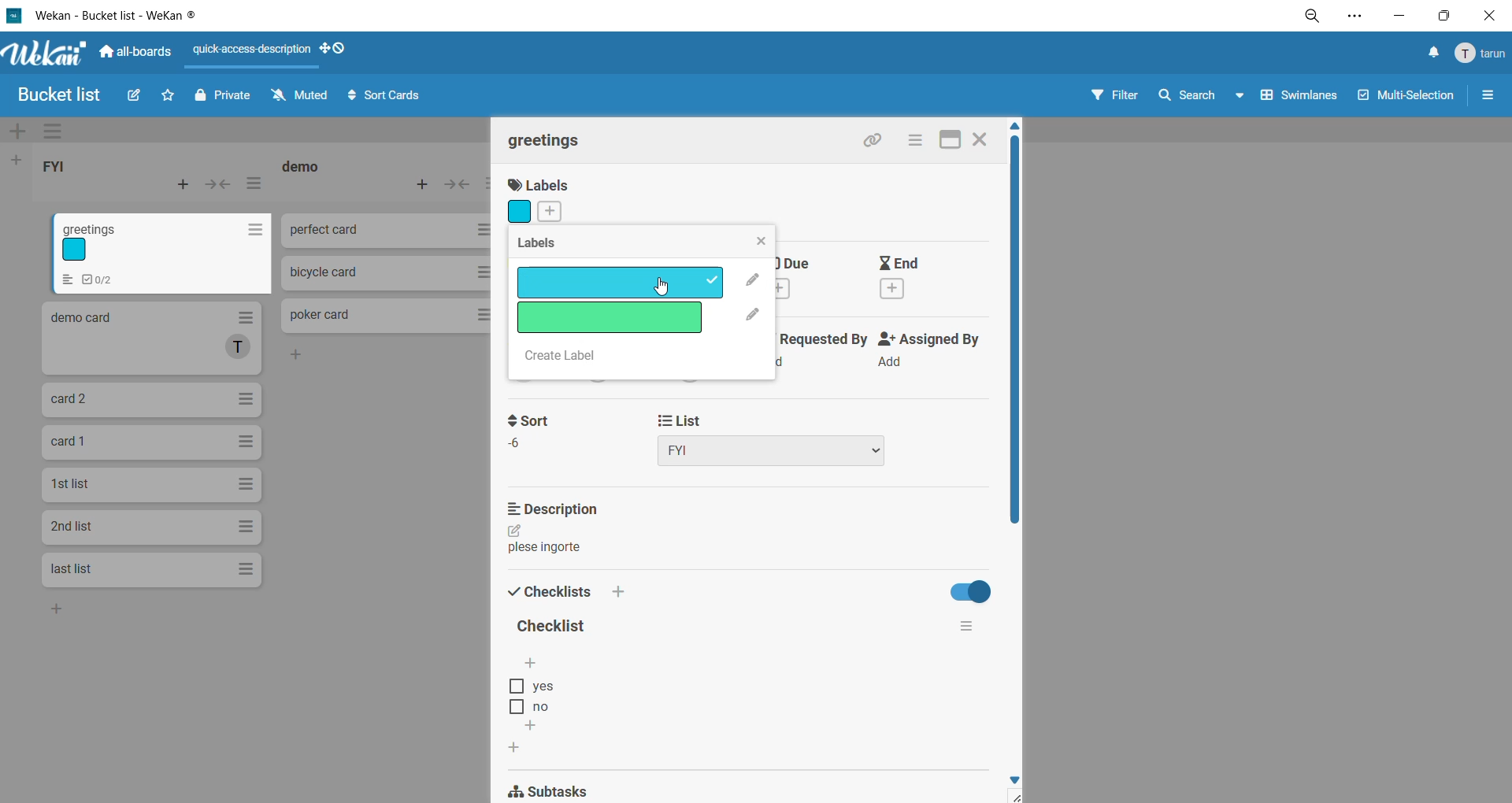 This screenshot has height=803, width=1512. I want to click on maximize, so click(949, 140).